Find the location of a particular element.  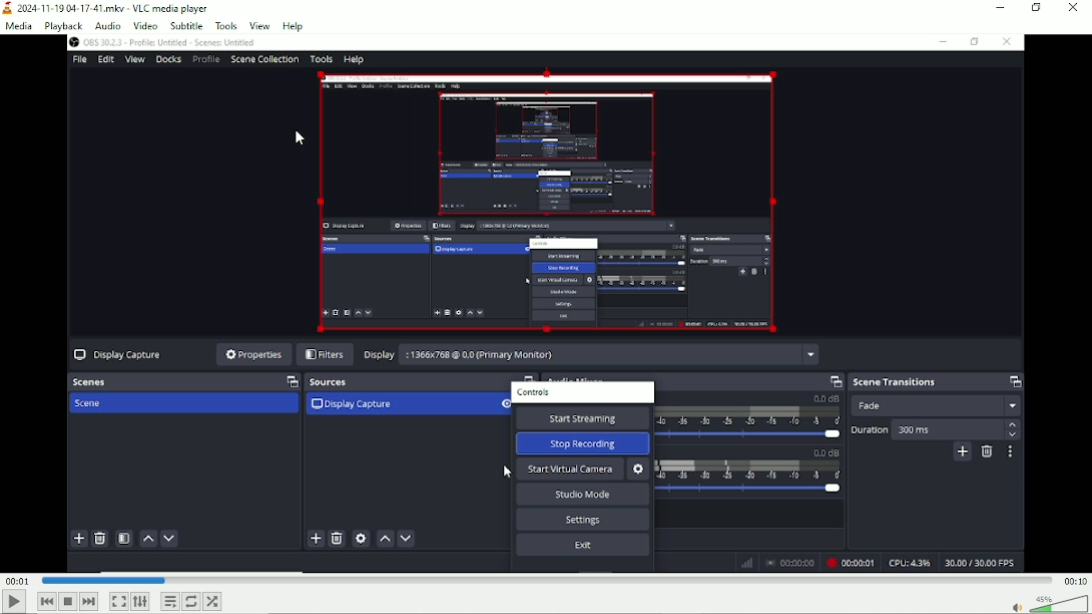

Total duration is located at coordinates (1074, 582).